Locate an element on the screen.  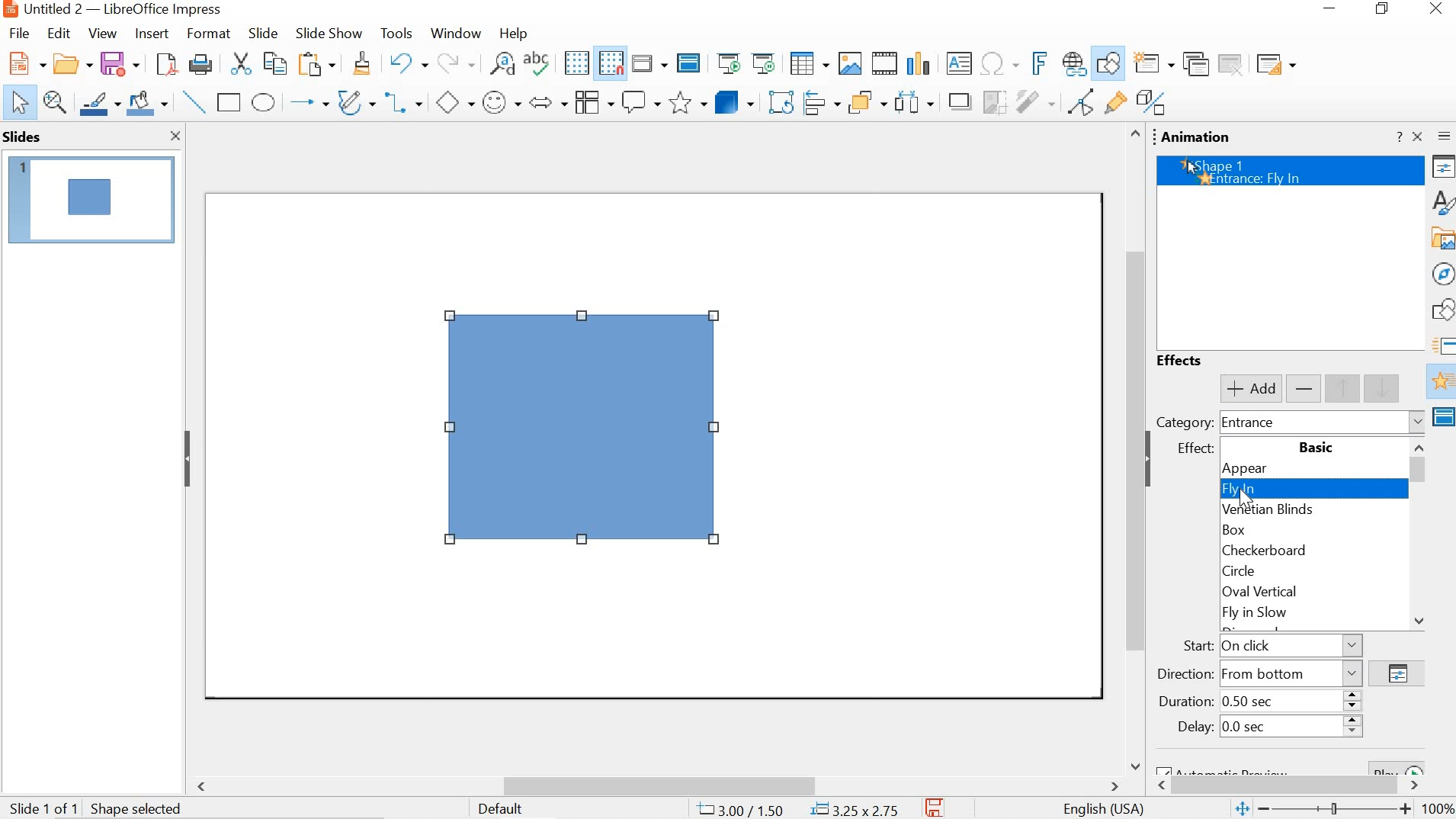
sidebar settings is located at coordinates (1444, 136).